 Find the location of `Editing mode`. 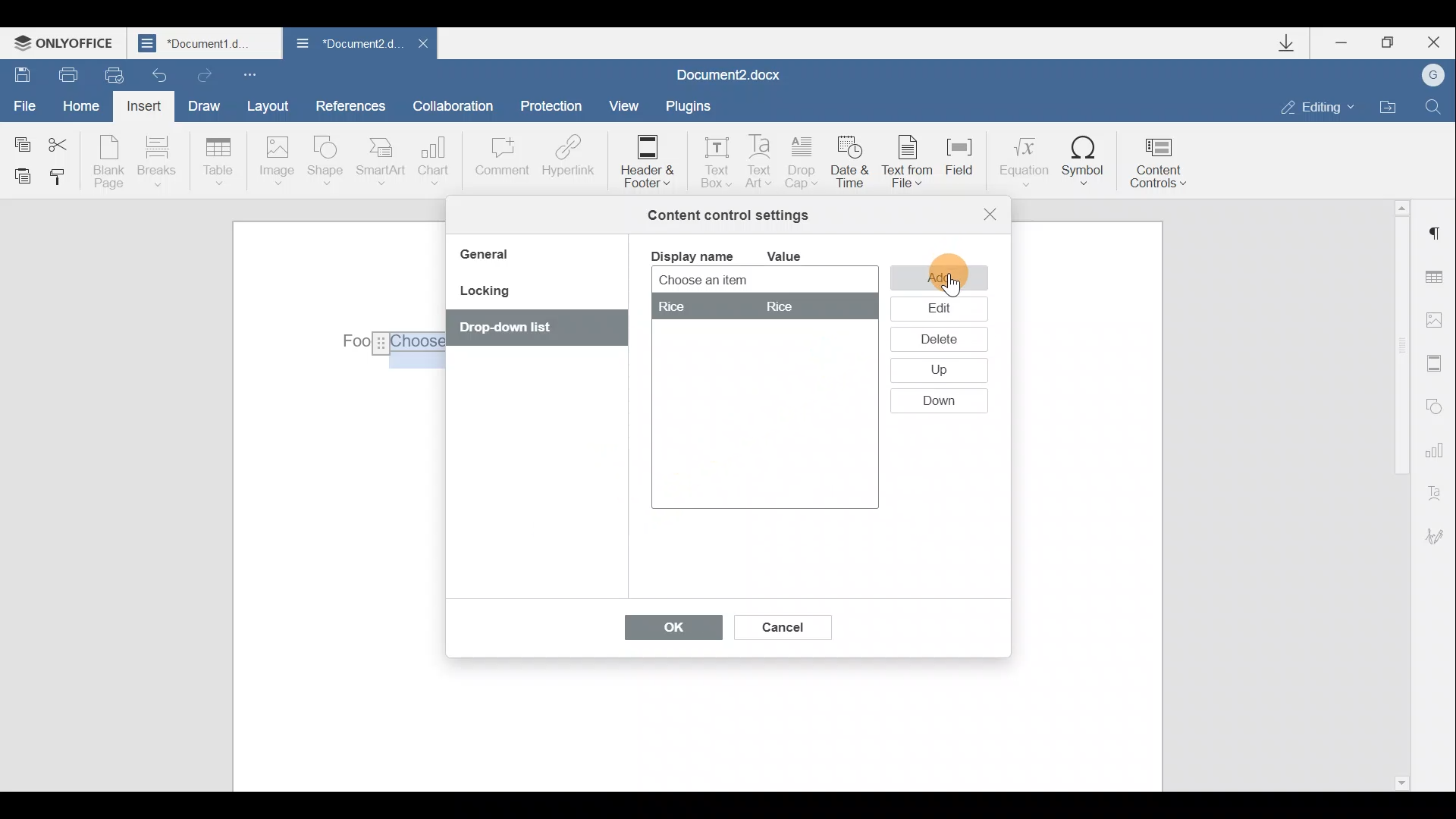

Editing mode is located at coordinates (1318, 106).